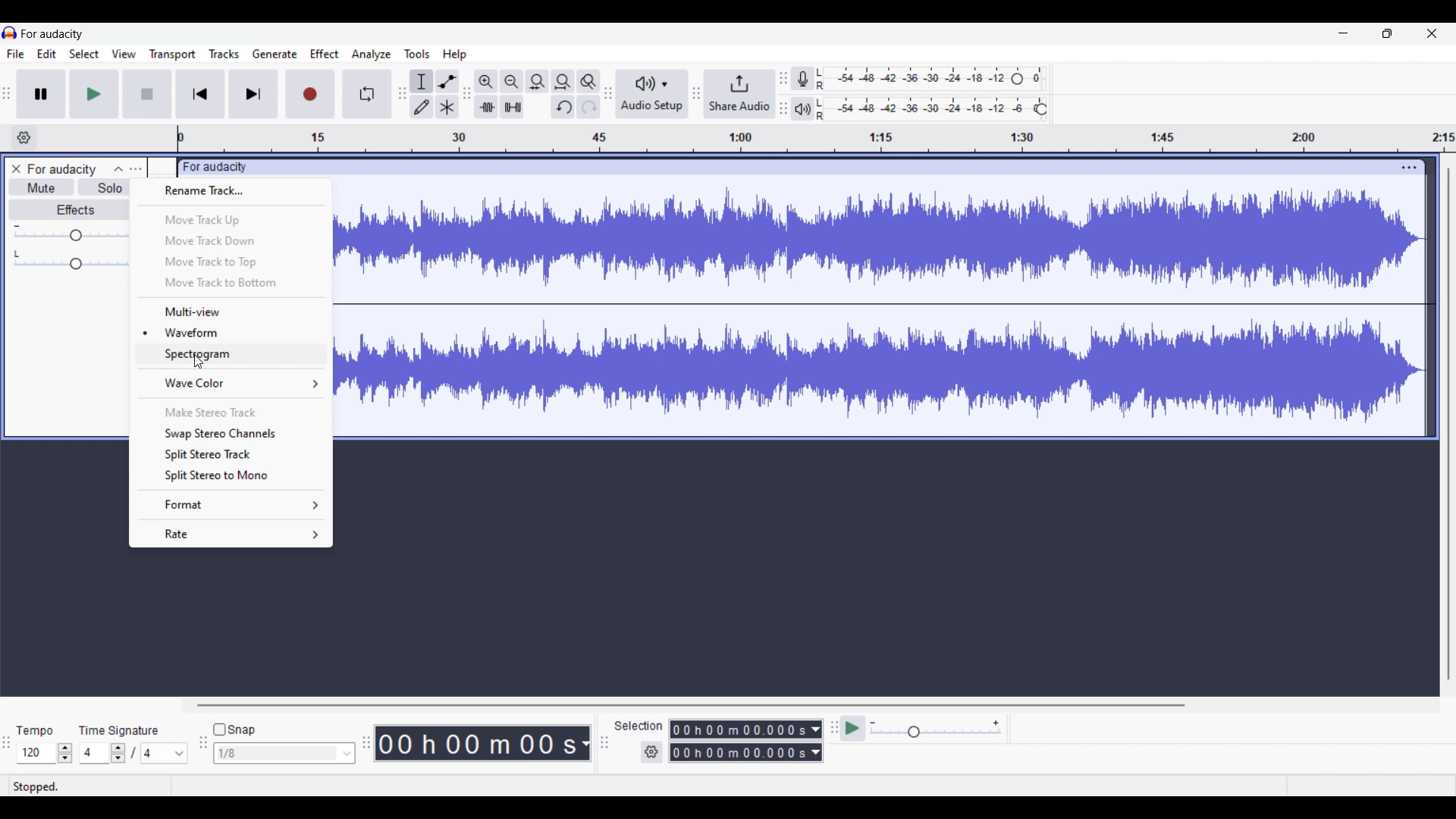  Describe the element at coordinates (232, 534) in the screenshot. I see `Rate options ` at that location.